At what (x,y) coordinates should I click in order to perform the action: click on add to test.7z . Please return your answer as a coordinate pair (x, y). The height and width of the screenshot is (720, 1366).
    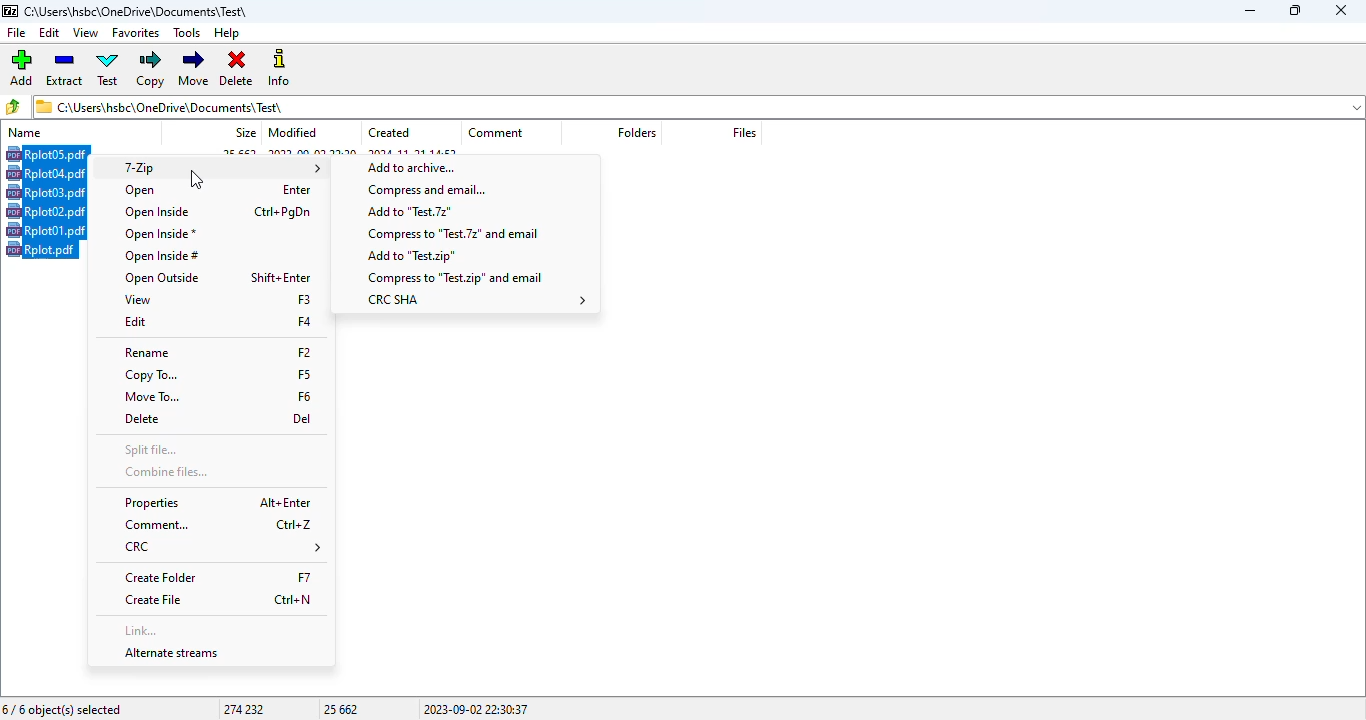
    Looking at the image, I should click on (410, 212).